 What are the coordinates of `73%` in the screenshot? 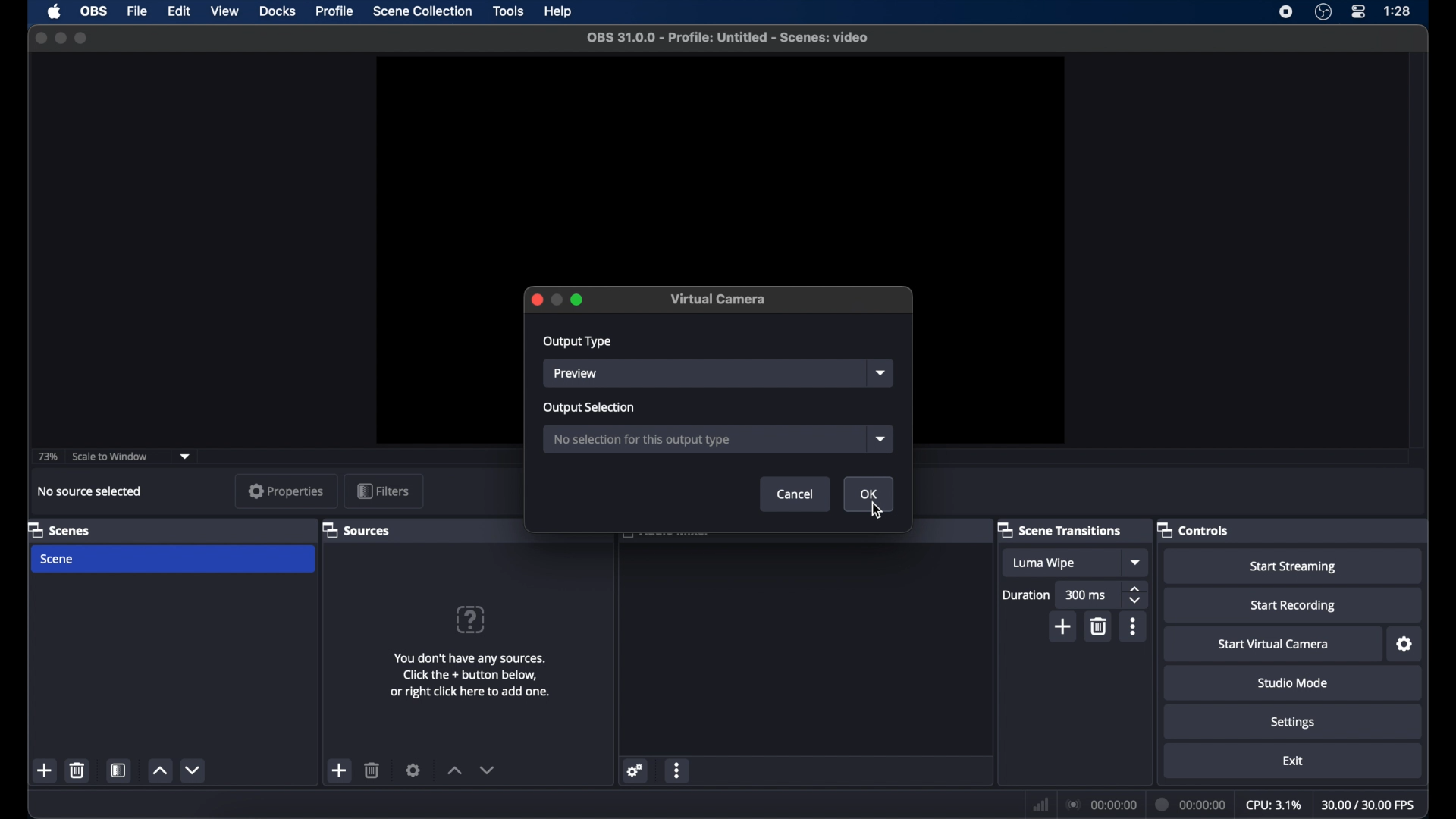 It's located at (49, 456).